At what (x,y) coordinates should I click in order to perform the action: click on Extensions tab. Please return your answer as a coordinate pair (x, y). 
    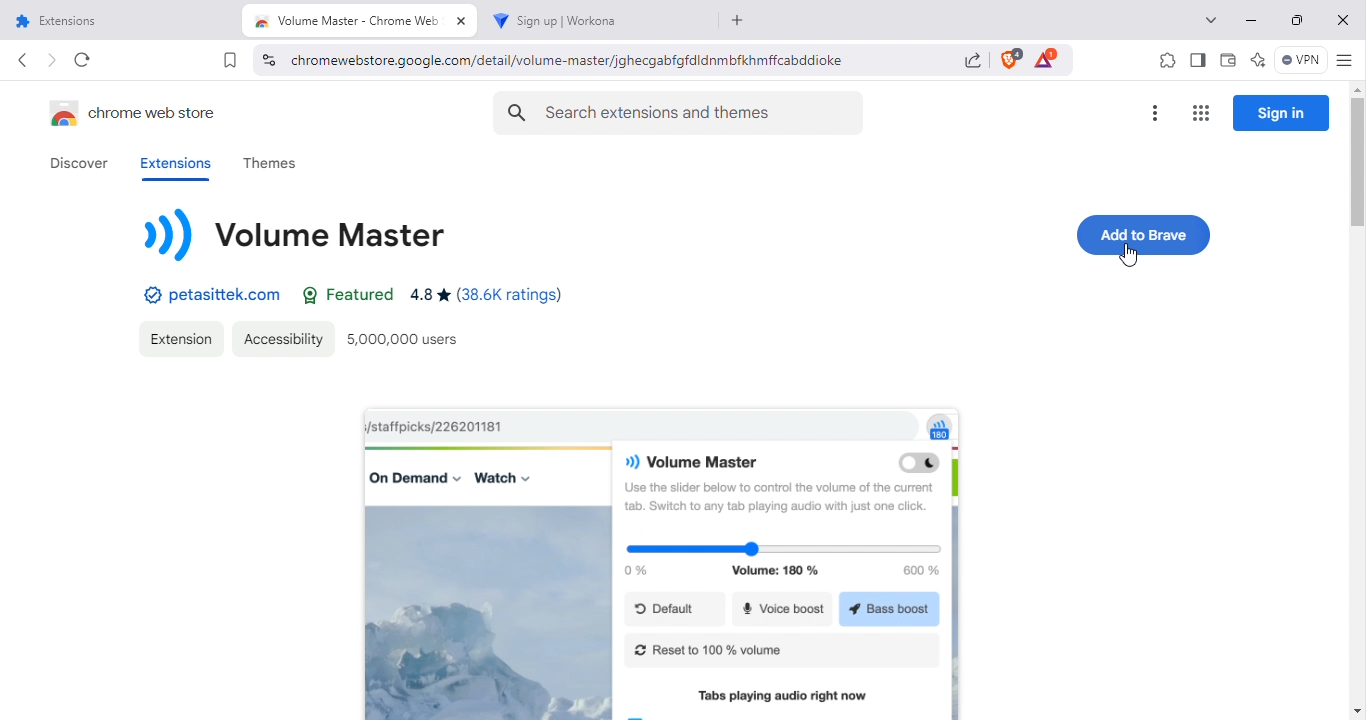
    Looking at the image, I should click on (125, 21).